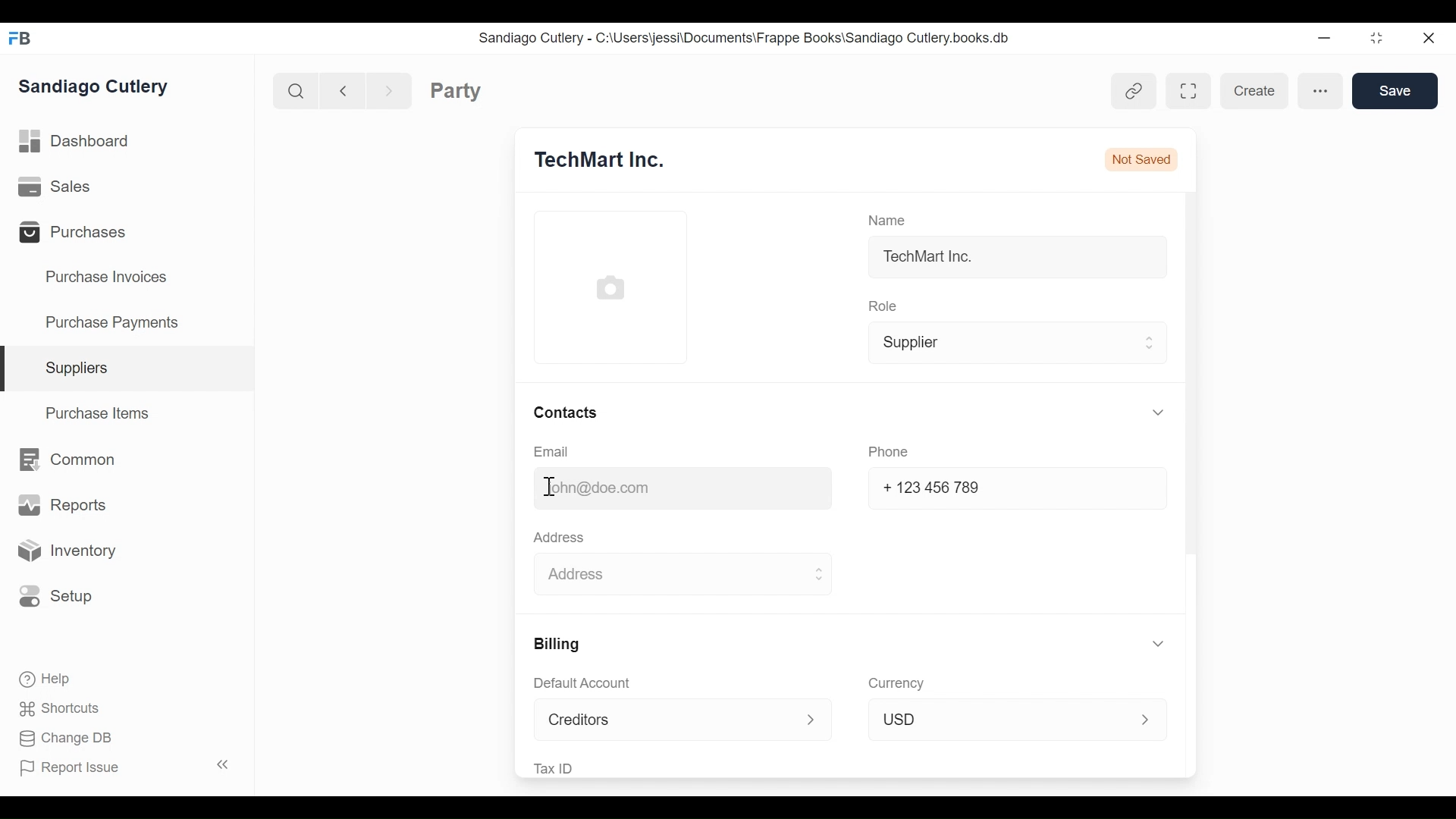  What do you see at coordinates (83, 140) in the screenshot?
I see `Dashboard` at bounding box center [83, 140].